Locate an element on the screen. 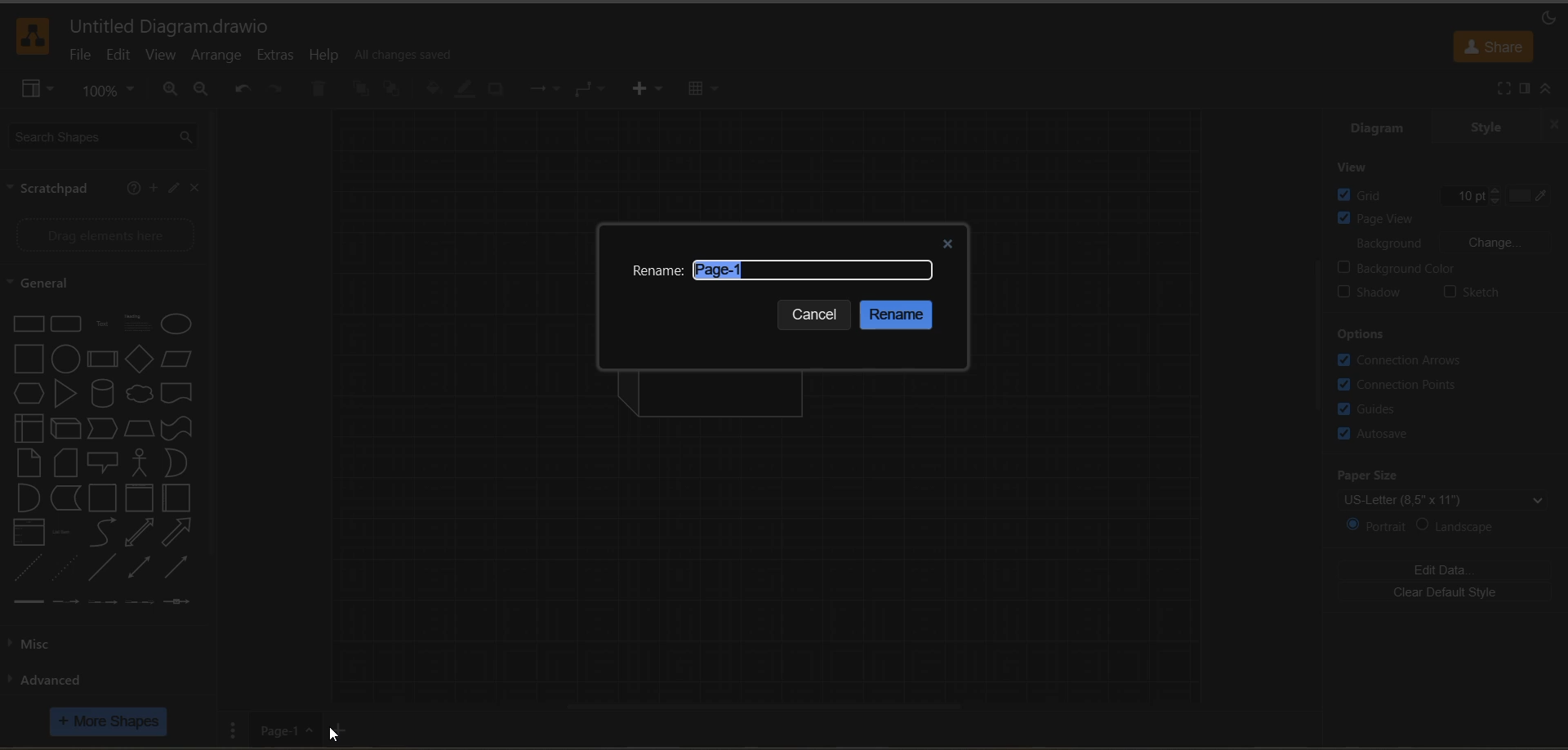 The height and width of the screenshot is (750, 1568). extras is located at coordinates (282, 55).